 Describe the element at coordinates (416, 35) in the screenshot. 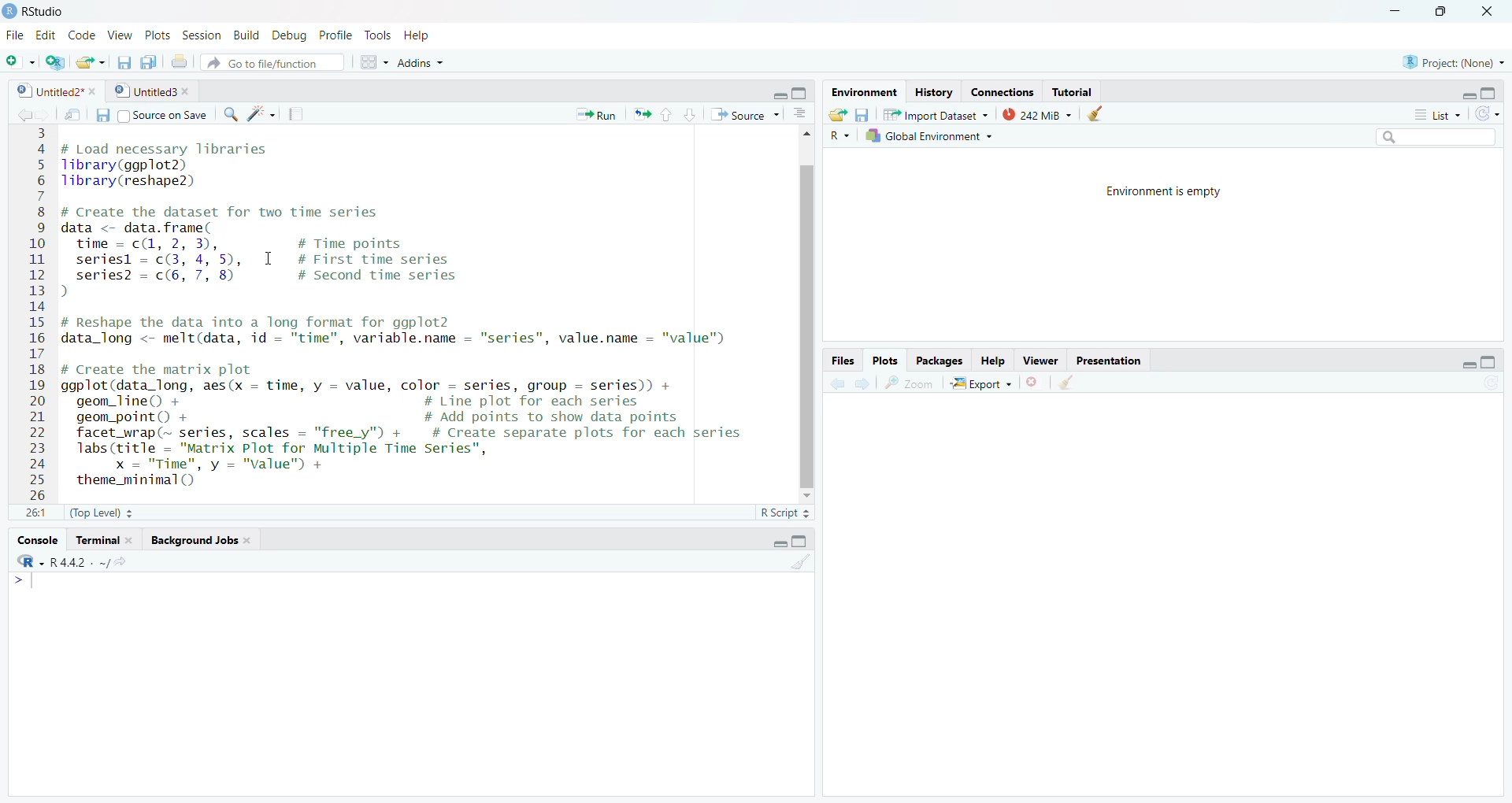

I see `Help` at that location.